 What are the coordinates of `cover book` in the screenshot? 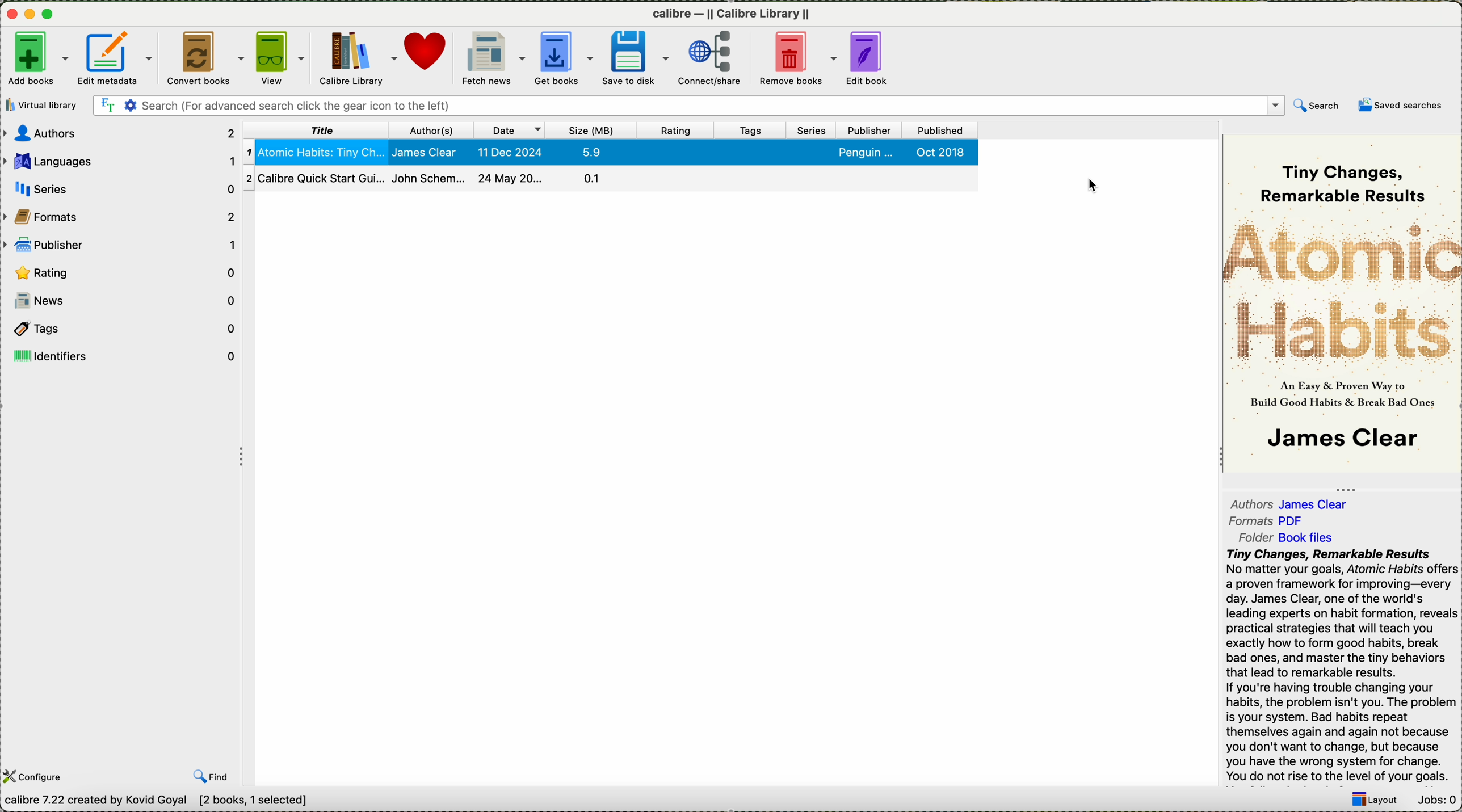 It's located at (1338, 305).